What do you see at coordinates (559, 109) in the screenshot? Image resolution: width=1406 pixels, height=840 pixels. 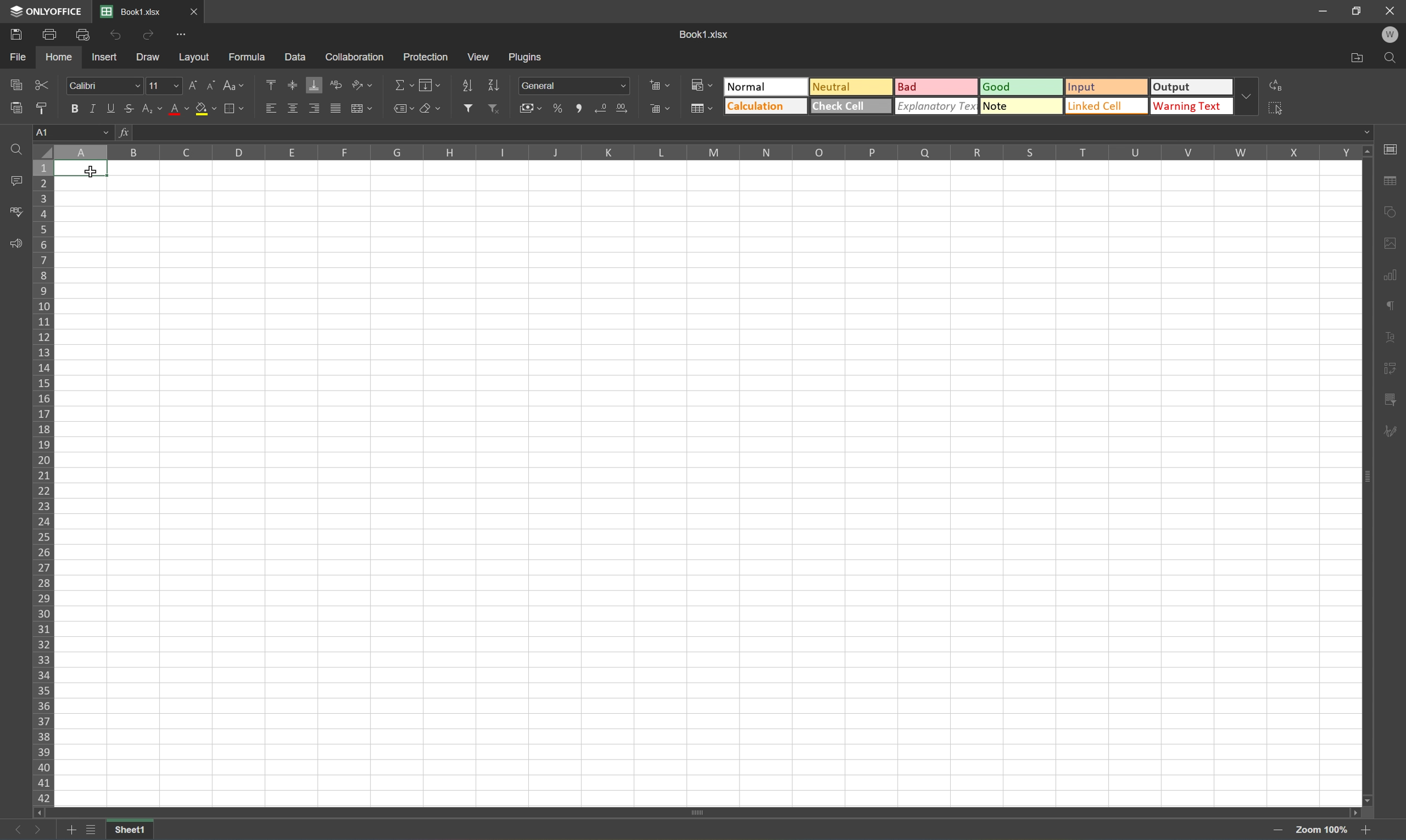 I see `Percent style` at bounding box center [559, 109].